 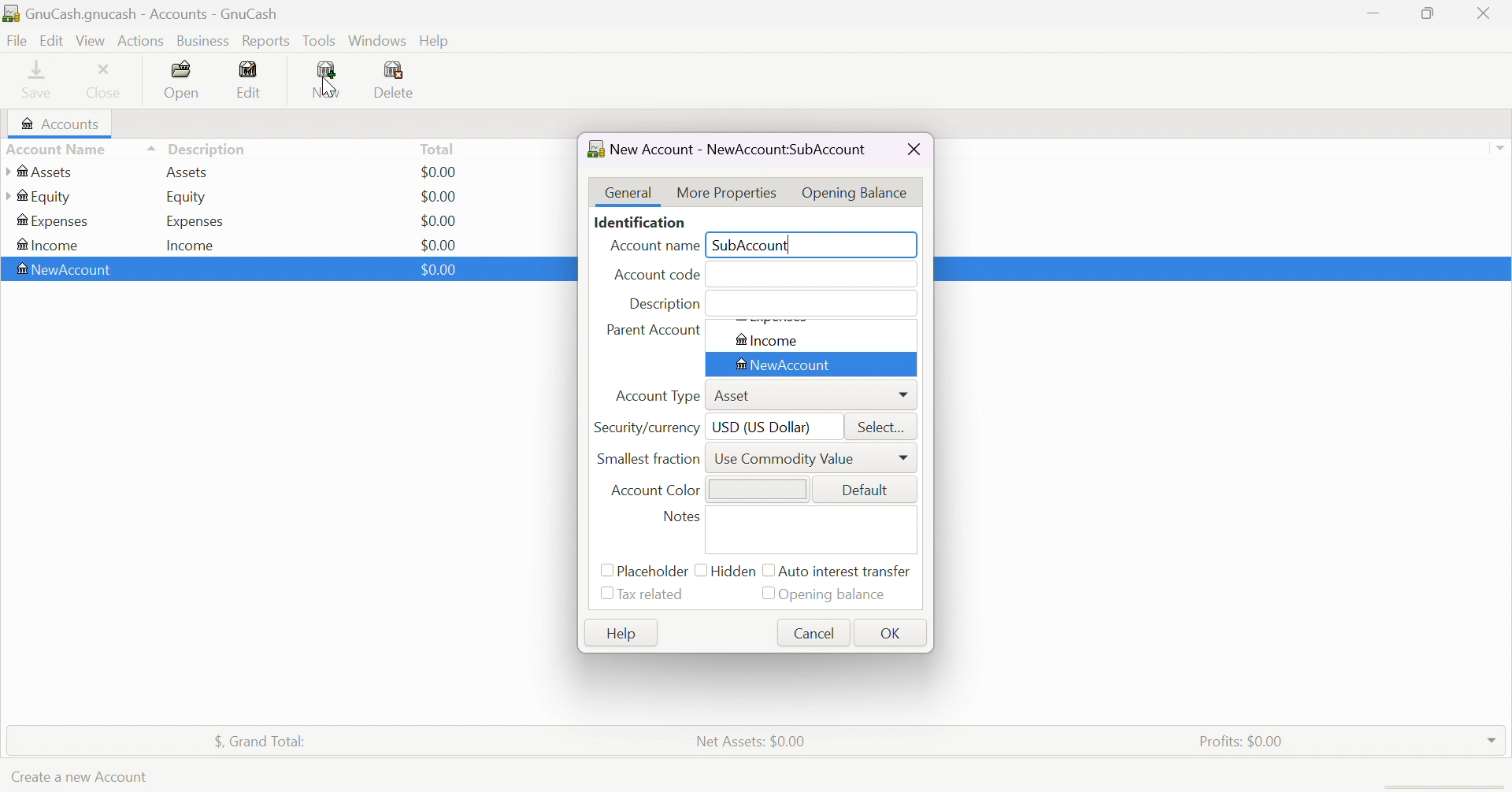 What do you see at coordinates (445, 172) in the screenshot?
I see `$0.00` at bounding box center [445, 172].